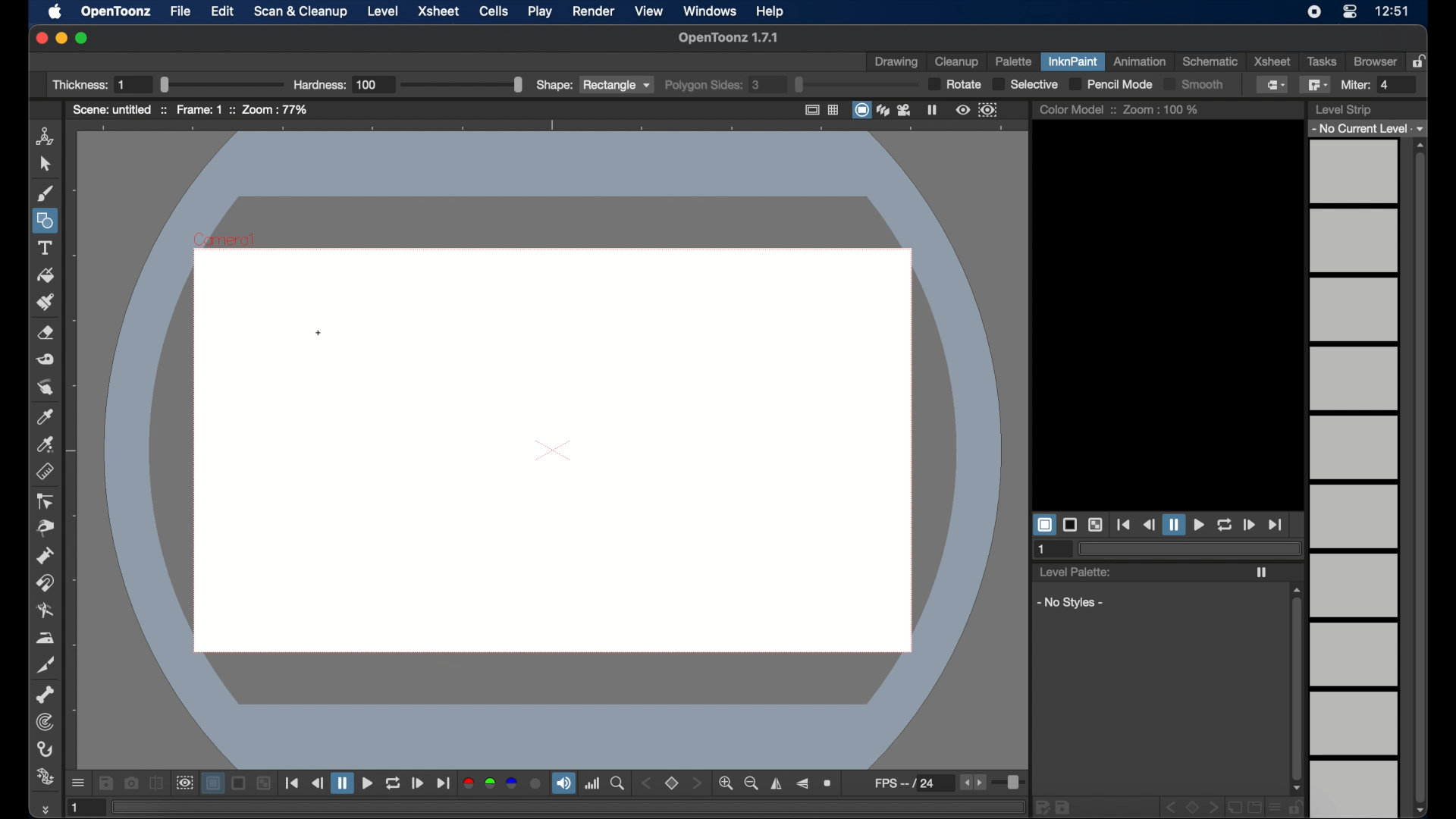  What do you see at coordinates (1271, 61) in the screenshot?
I see `xsheet` at bounding box center [1271, 61].